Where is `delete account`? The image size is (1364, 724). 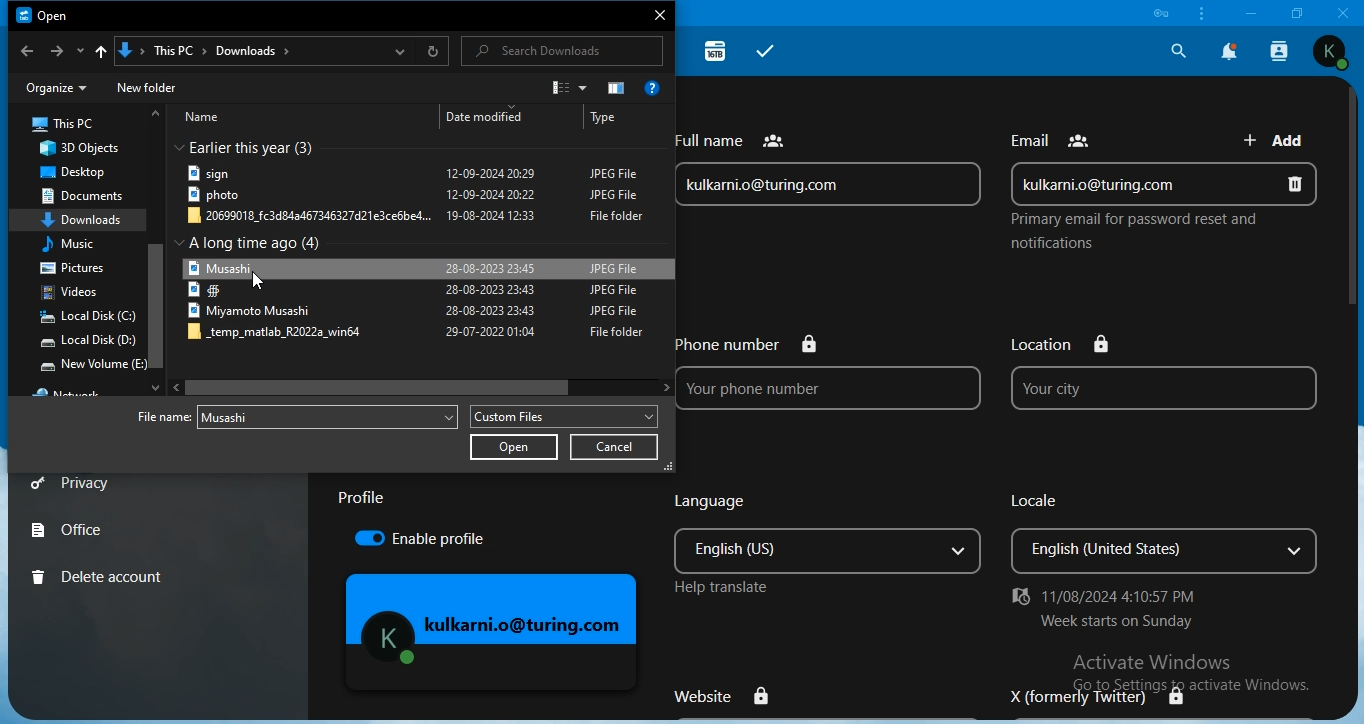
delete account is located at coordinates (103, 575).